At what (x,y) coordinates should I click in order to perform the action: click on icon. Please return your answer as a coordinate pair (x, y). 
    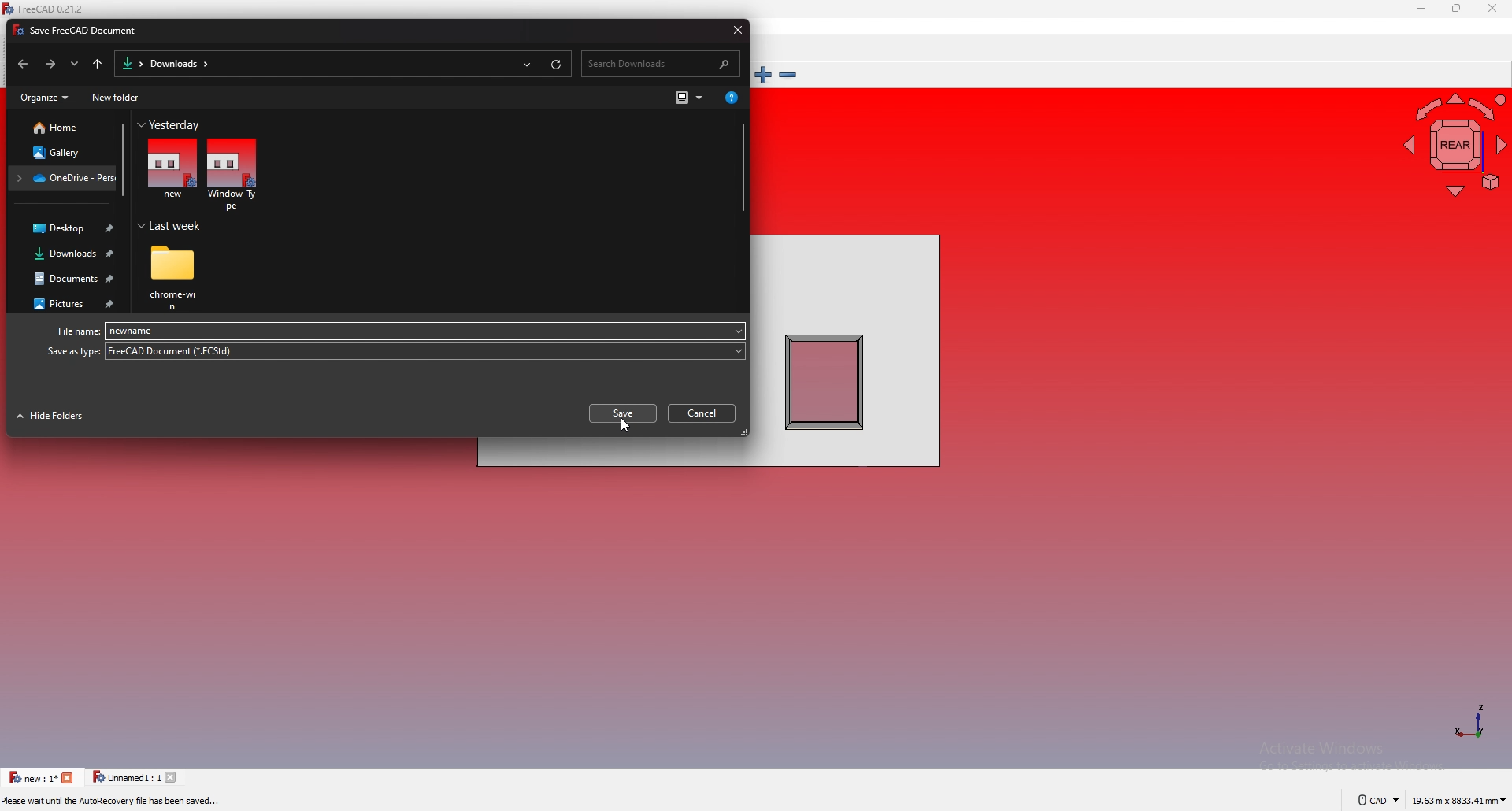
    Looking at the image, I should click on (17, 30).